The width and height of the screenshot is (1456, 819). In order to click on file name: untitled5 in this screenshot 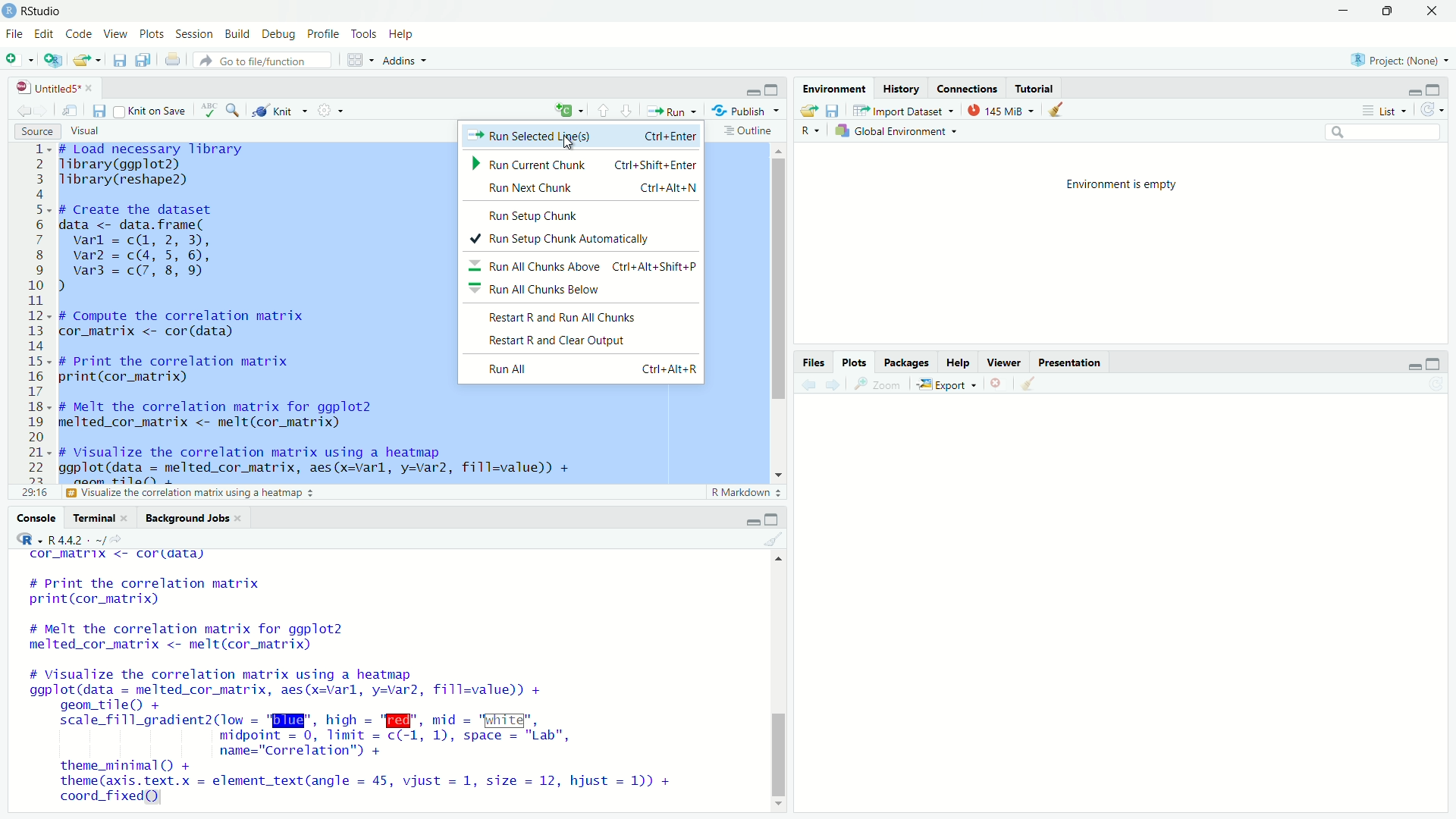, I will do `click(50, 88)`.